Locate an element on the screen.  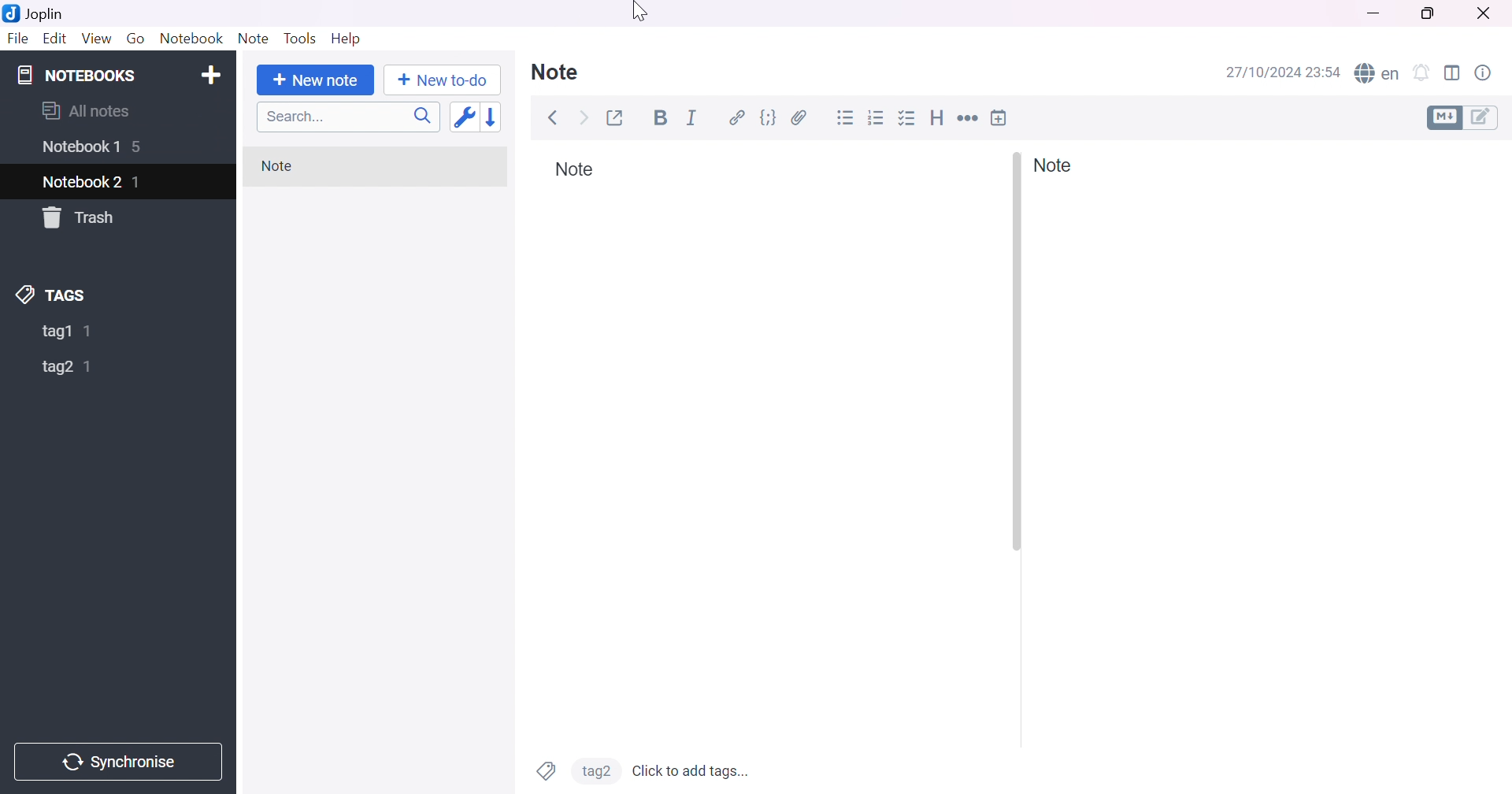
Bold is located at coordinates (659, 118).